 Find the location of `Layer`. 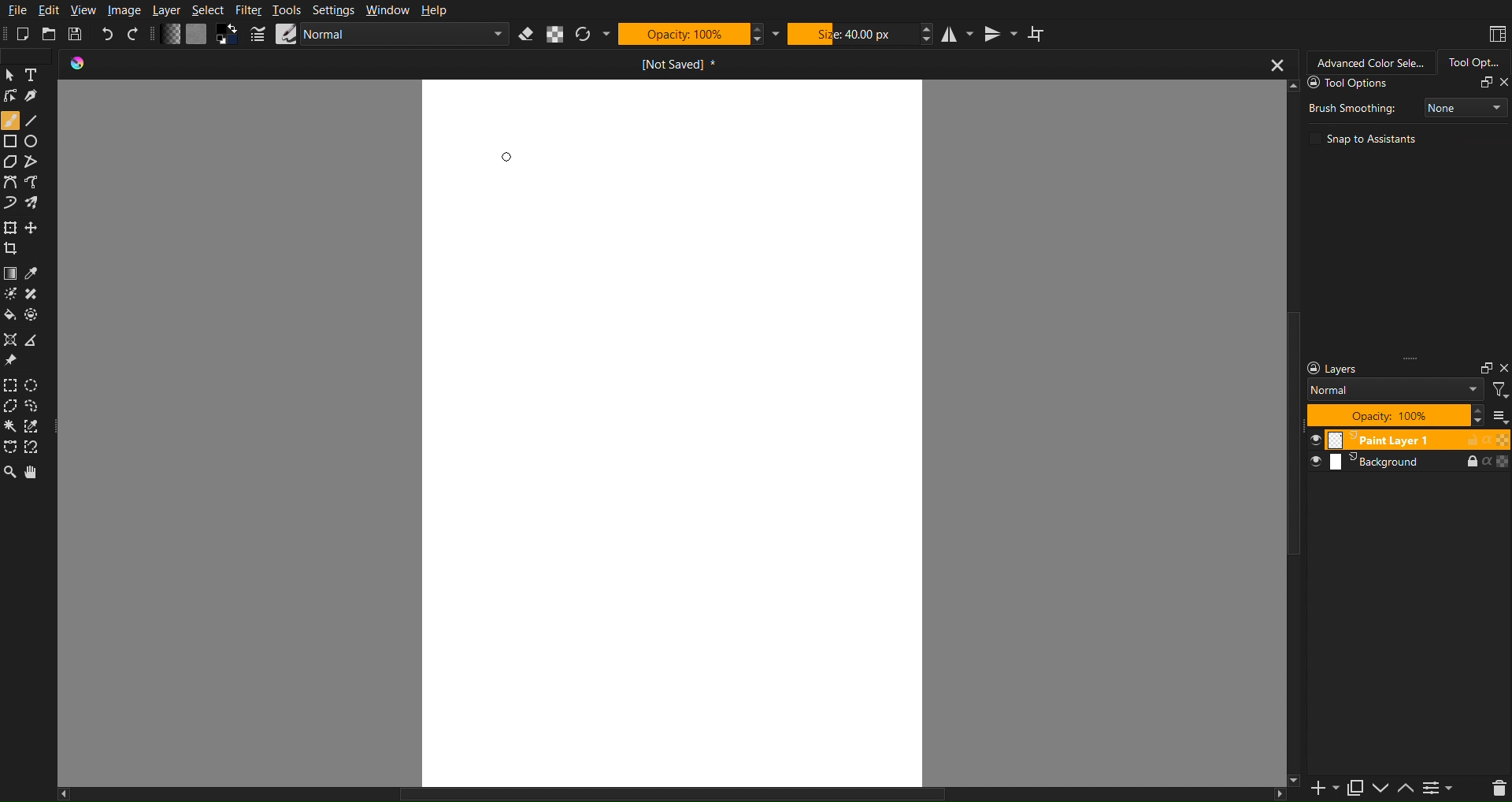

Layer is located at coordinates (167, 9).